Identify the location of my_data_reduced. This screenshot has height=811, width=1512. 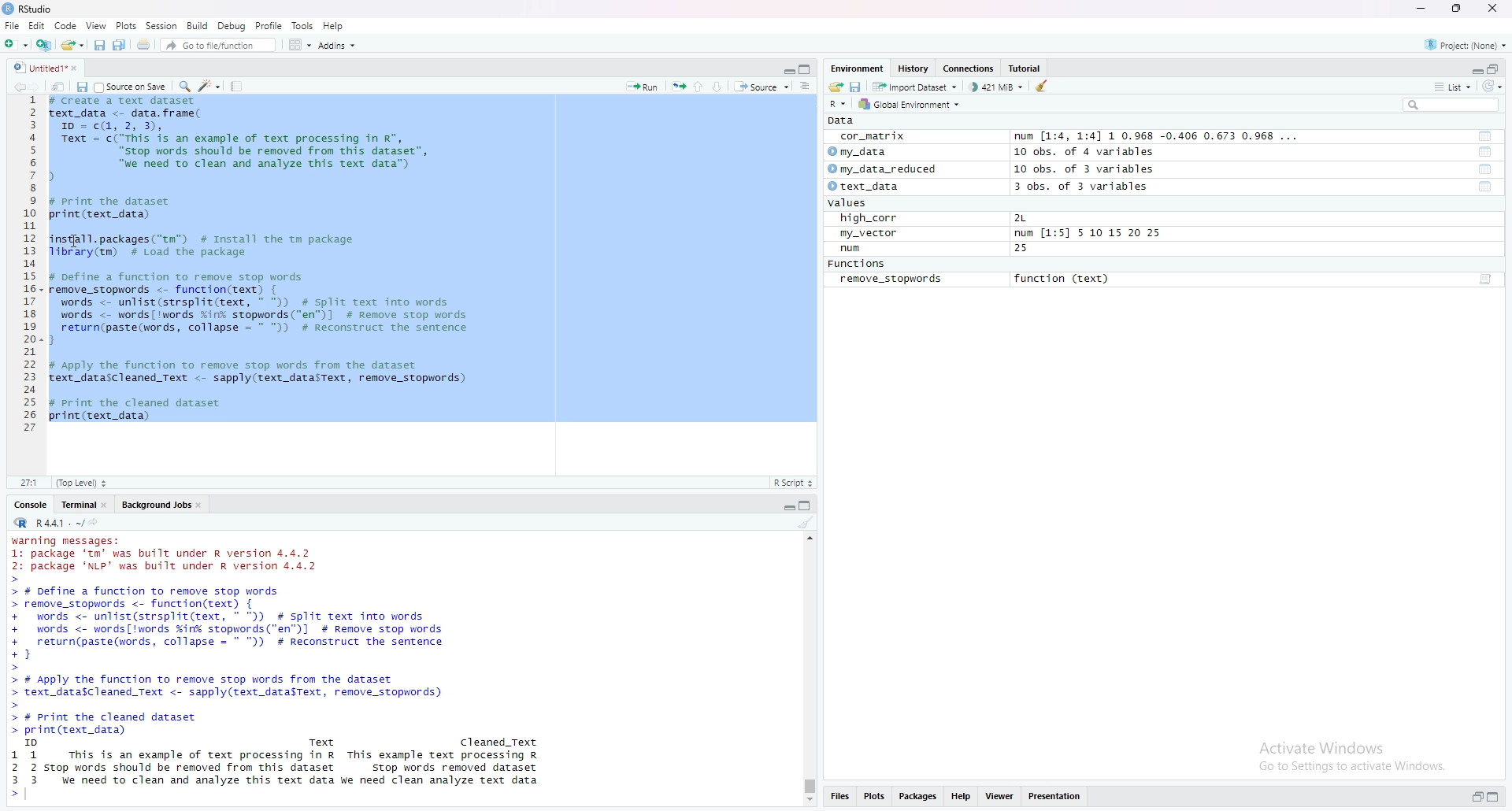
(882, 168).